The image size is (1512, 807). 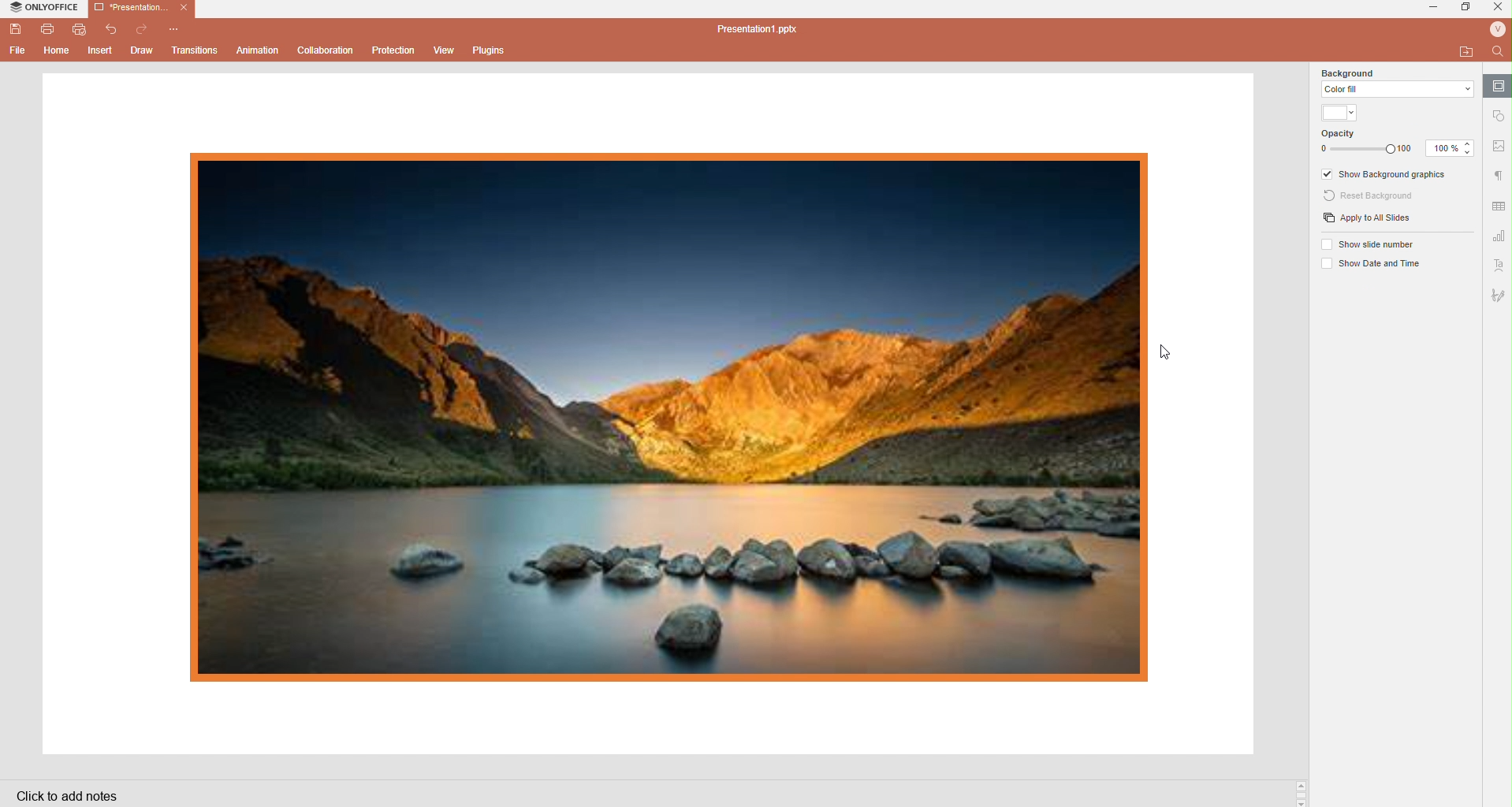 What do you see at coordinates (58, 53) in the screenshot?
I see `Home` at bounding box center [58, 53].